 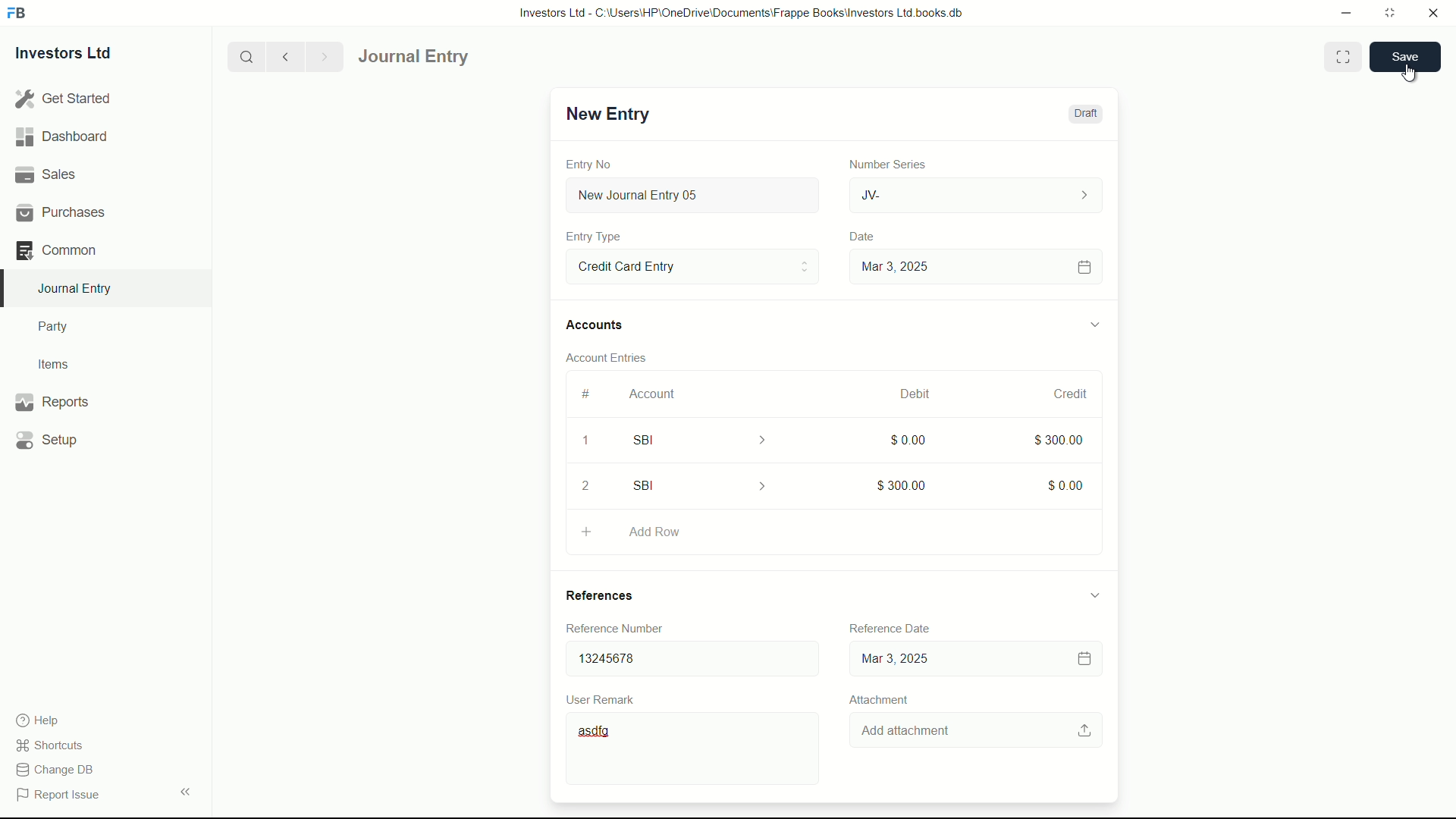 I want to click on Reference Number, so click(x=625, y=628).